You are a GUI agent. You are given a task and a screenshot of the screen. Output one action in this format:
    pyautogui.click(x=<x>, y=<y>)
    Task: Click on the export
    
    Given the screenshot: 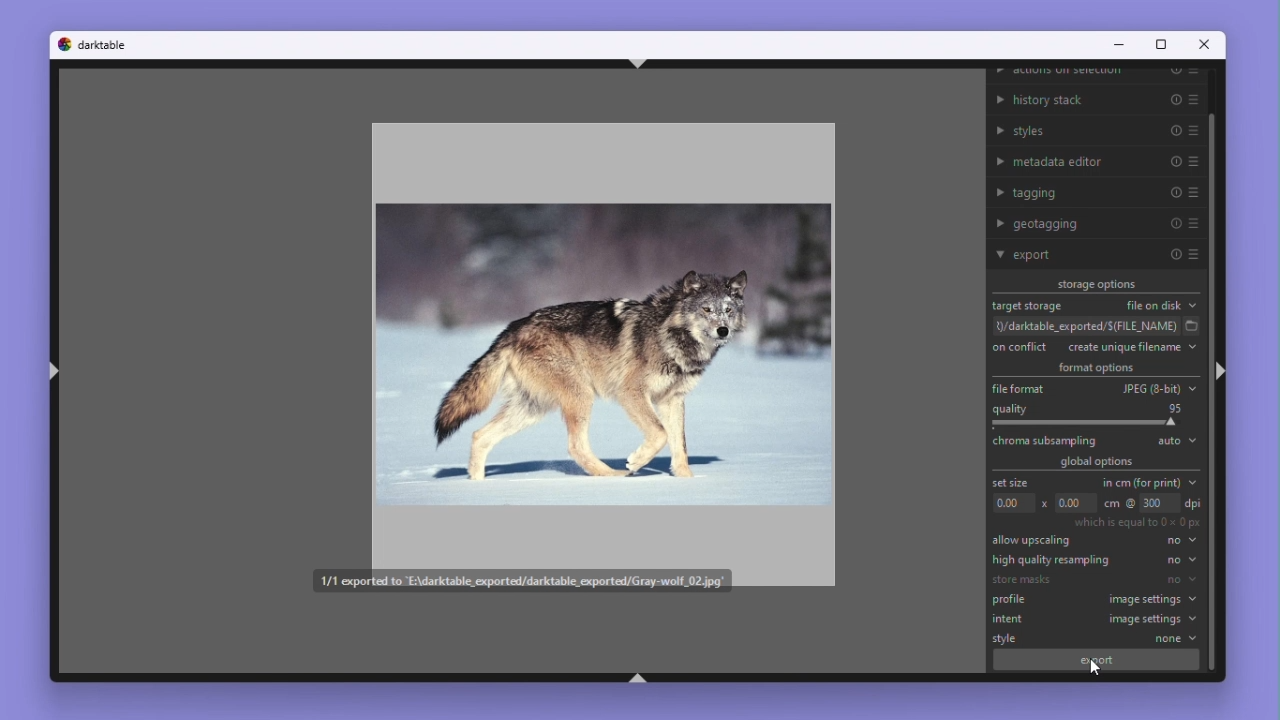 What is the action you would take?
    pyautogui.click(x=1098, y=660)
    